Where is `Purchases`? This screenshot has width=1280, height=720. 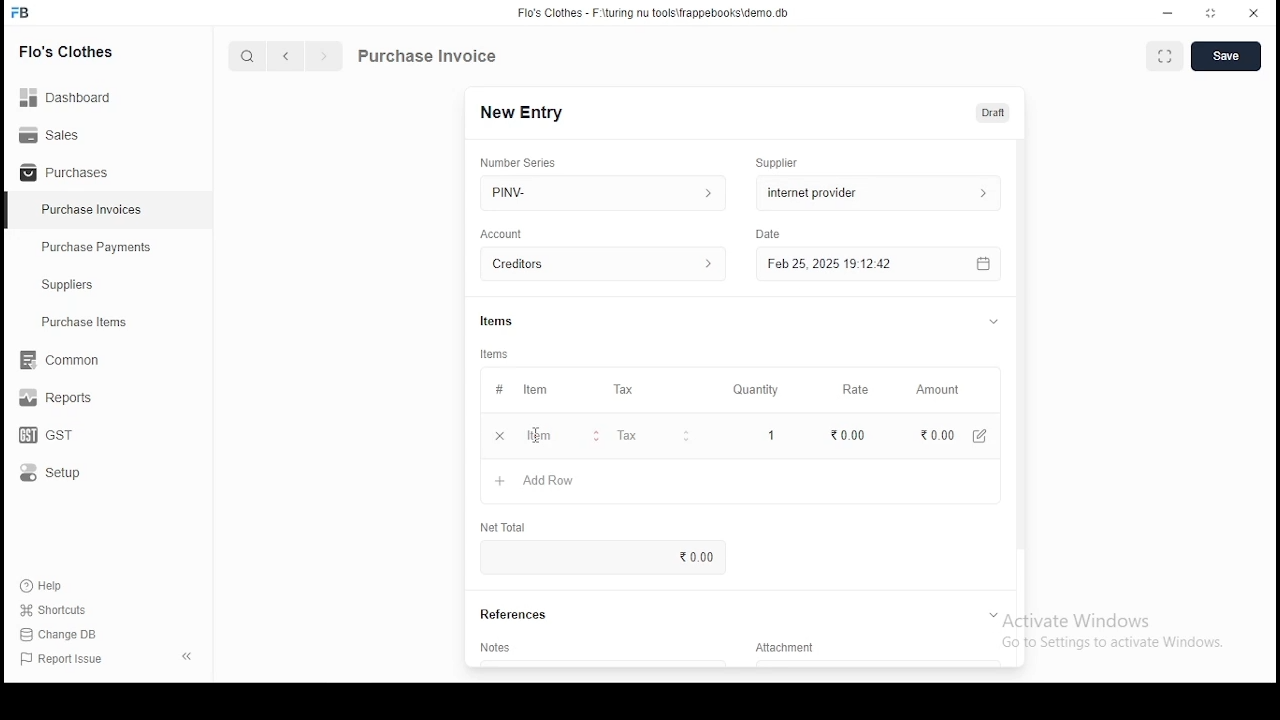
Purchases is located at coordinates (65, 173).